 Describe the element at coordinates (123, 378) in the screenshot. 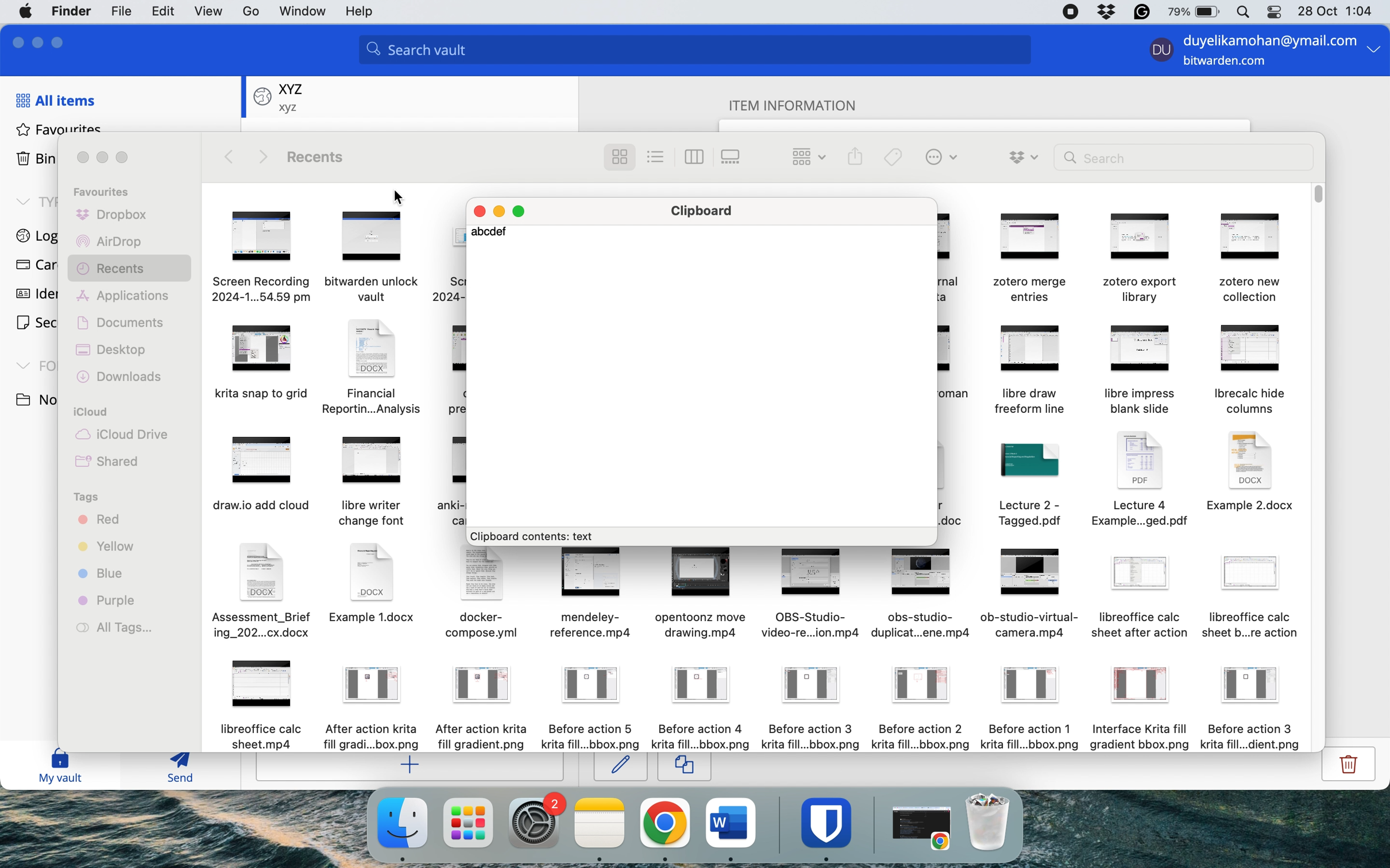

I see `downloads` at that location.